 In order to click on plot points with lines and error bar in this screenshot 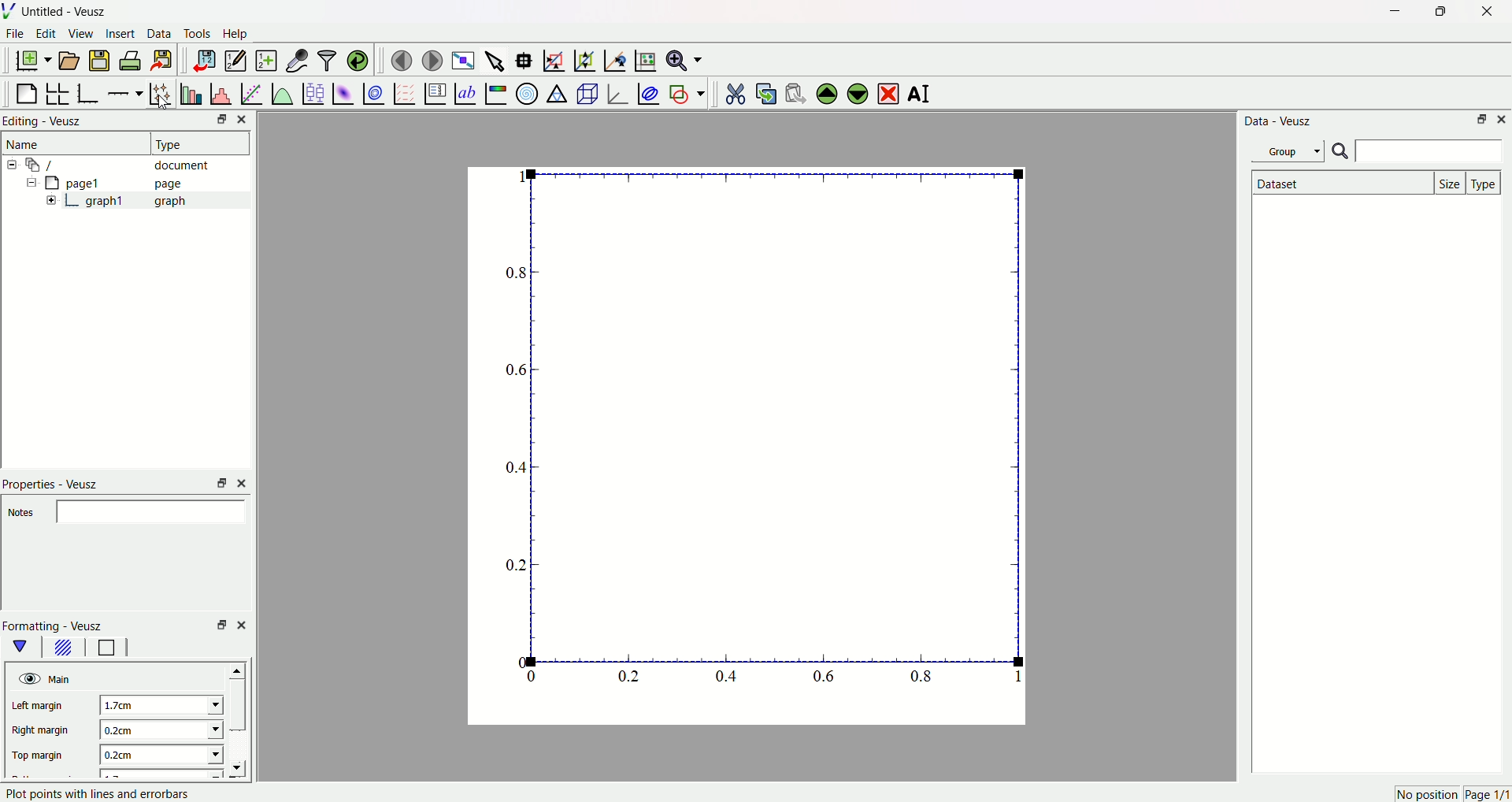, I will do `click(99, 793)`.